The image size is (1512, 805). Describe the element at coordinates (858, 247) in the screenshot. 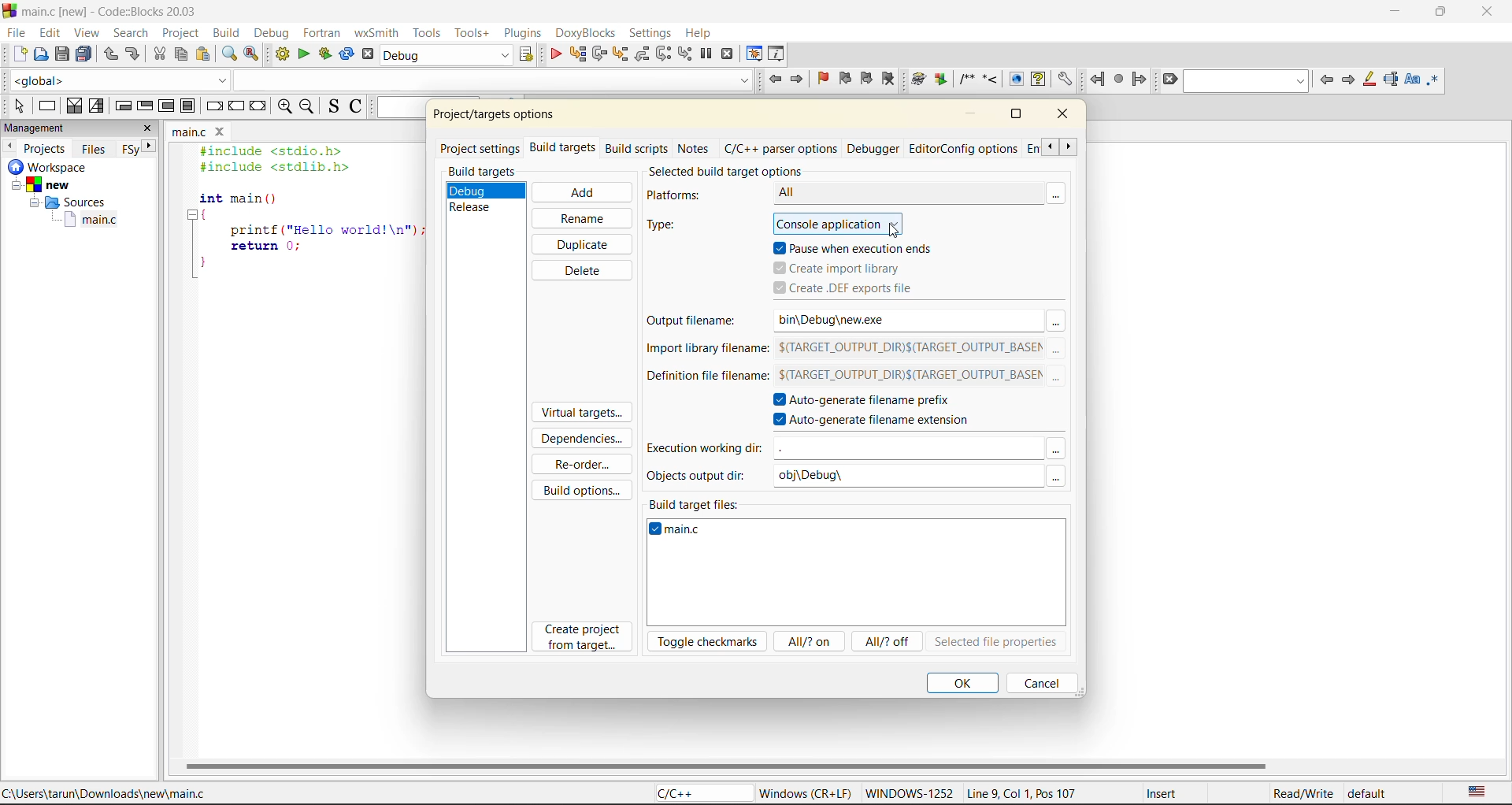

I see `pause when execution ends` at that location.